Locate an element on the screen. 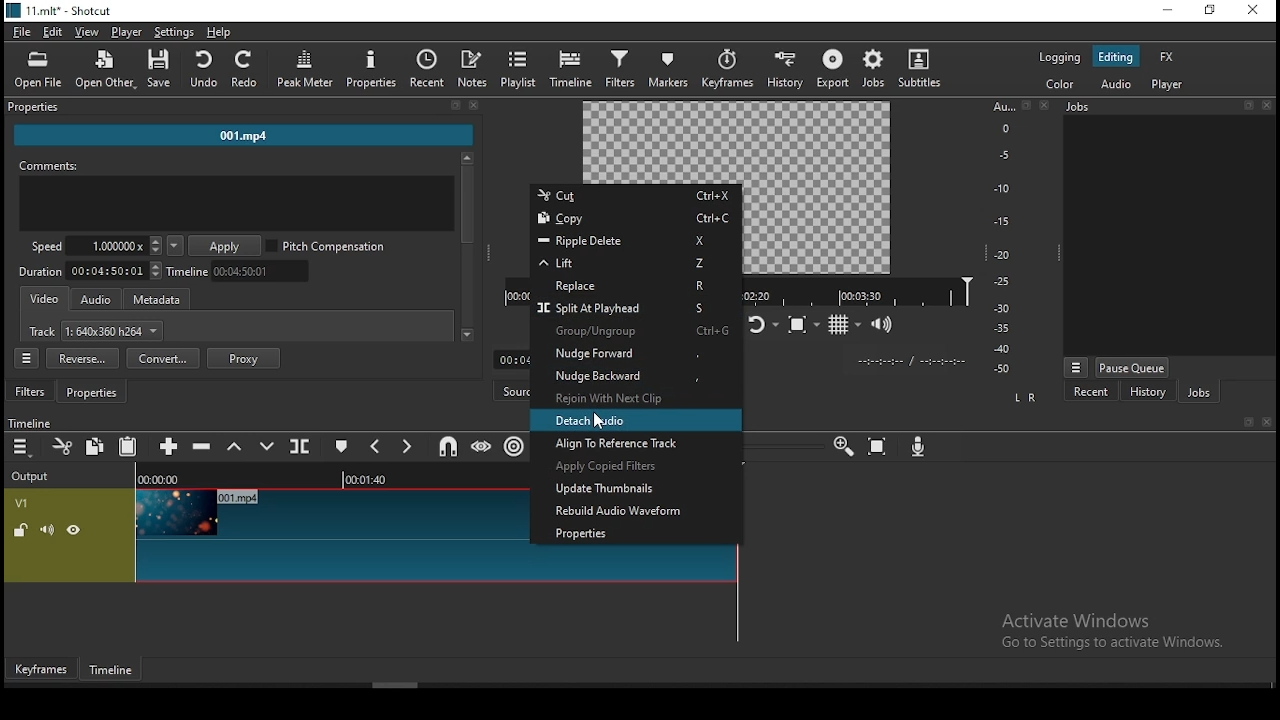 This screenshot has height=720, width=1280. timeline is located at coordinates (243, 272).